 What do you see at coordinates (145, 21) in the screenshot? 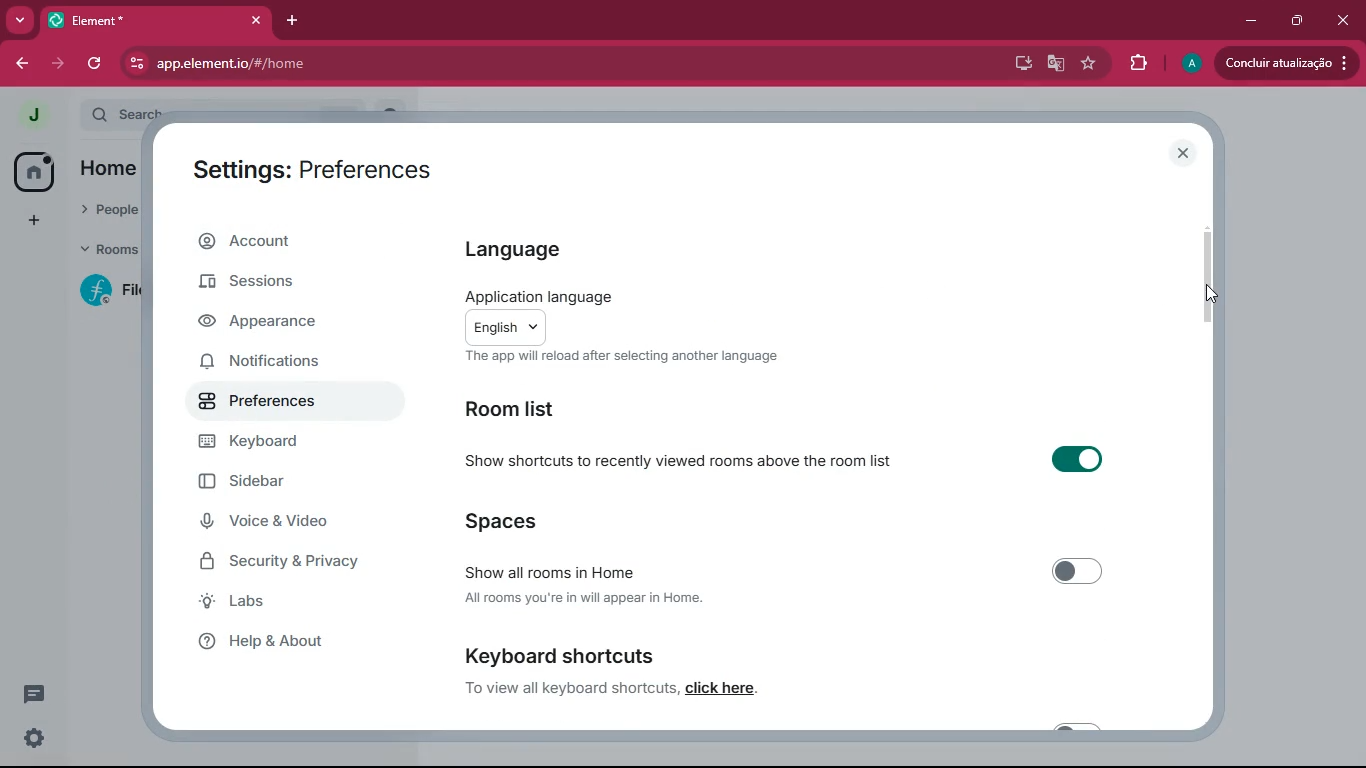
I see `tab` at bounding box center [145, 21].